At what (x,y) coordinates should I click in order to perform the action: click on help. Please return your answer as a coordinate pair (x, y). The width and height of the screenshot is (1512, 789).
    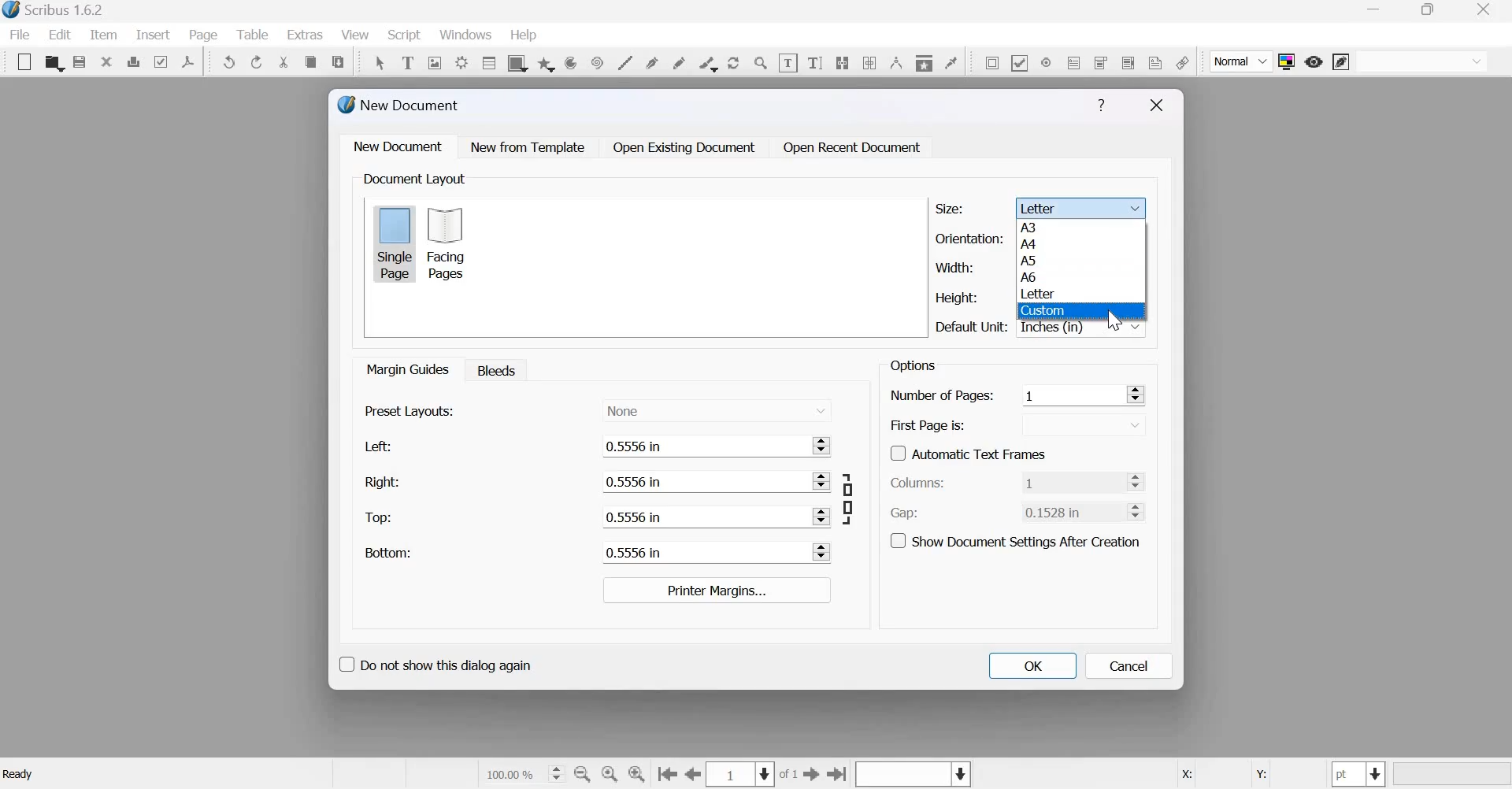
    Looking at the image, I should click on (524, 35).